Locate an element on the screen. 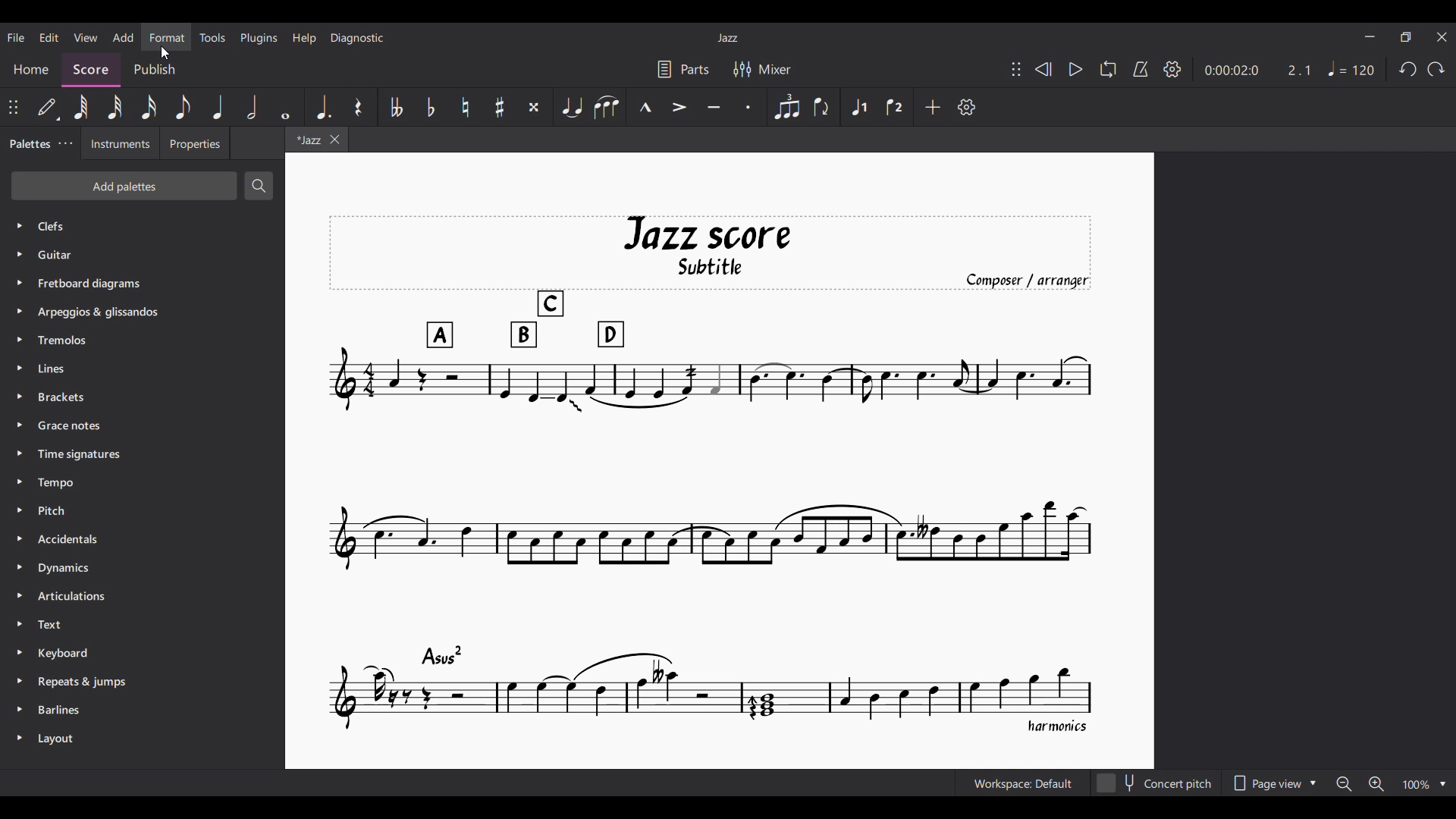 The width and height of the screenshot is (1456, 819). Add is located at coordinates (932, 107).